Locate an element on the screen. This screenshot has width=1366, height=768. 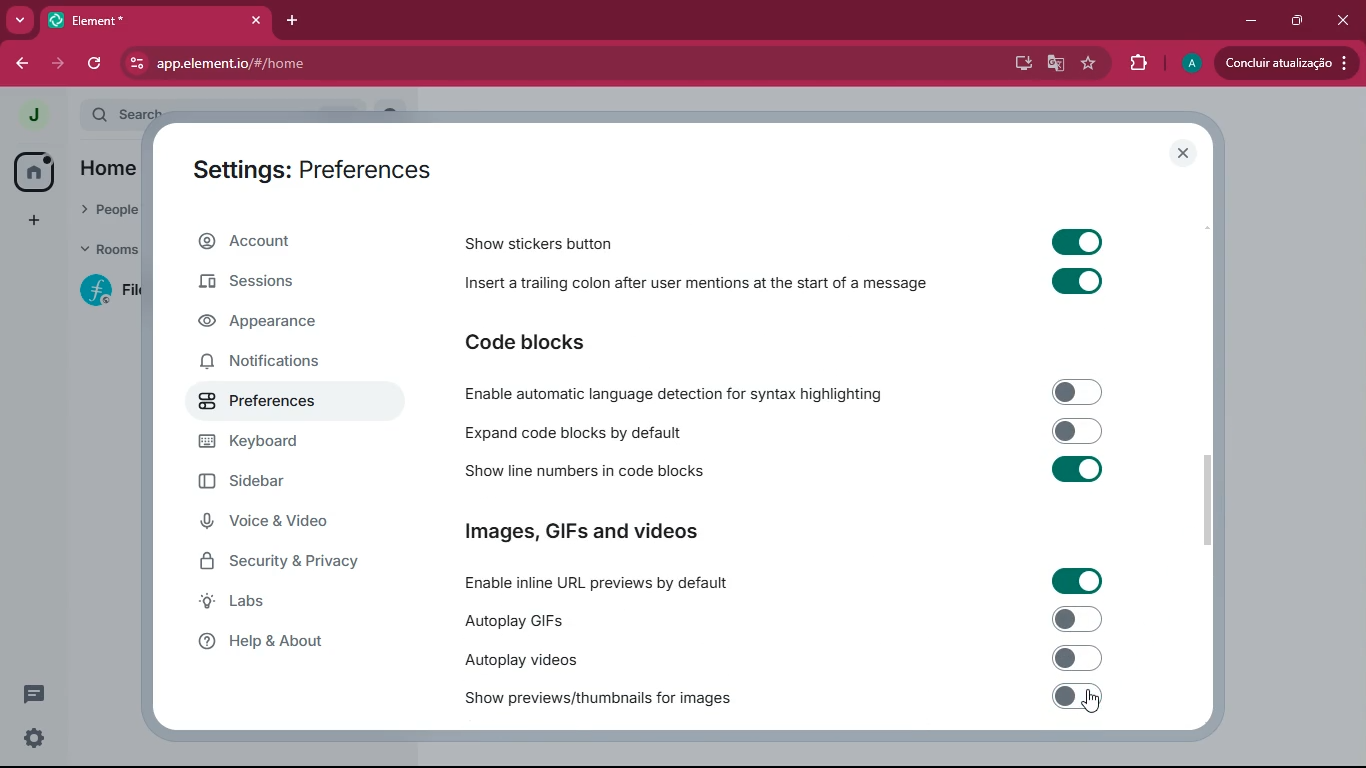
scroll bar is located at coordinates (1215, 499).